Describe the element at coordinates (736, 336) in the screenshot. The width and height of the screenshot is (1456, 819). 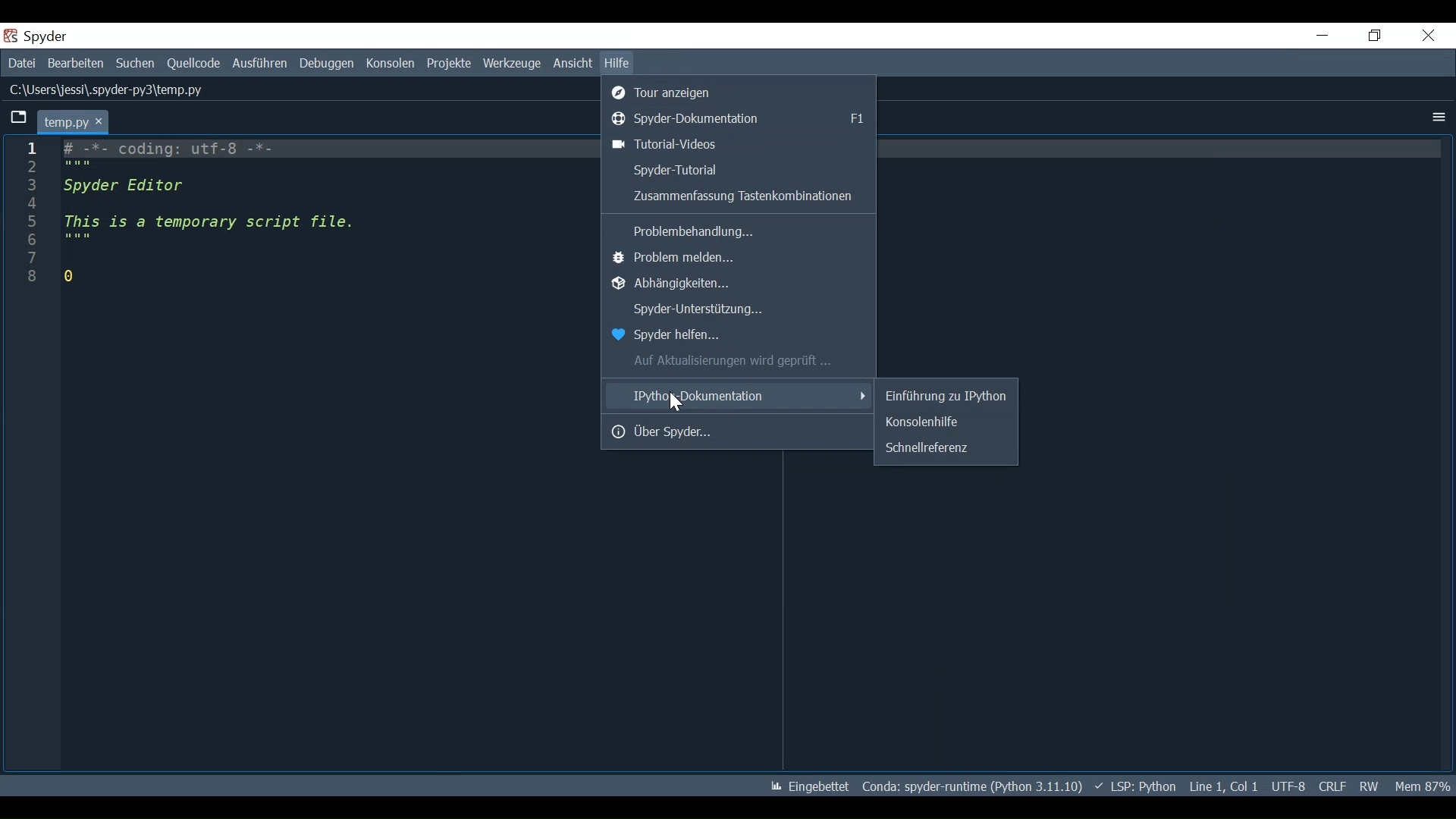
I see `Help Spyder` at that location.